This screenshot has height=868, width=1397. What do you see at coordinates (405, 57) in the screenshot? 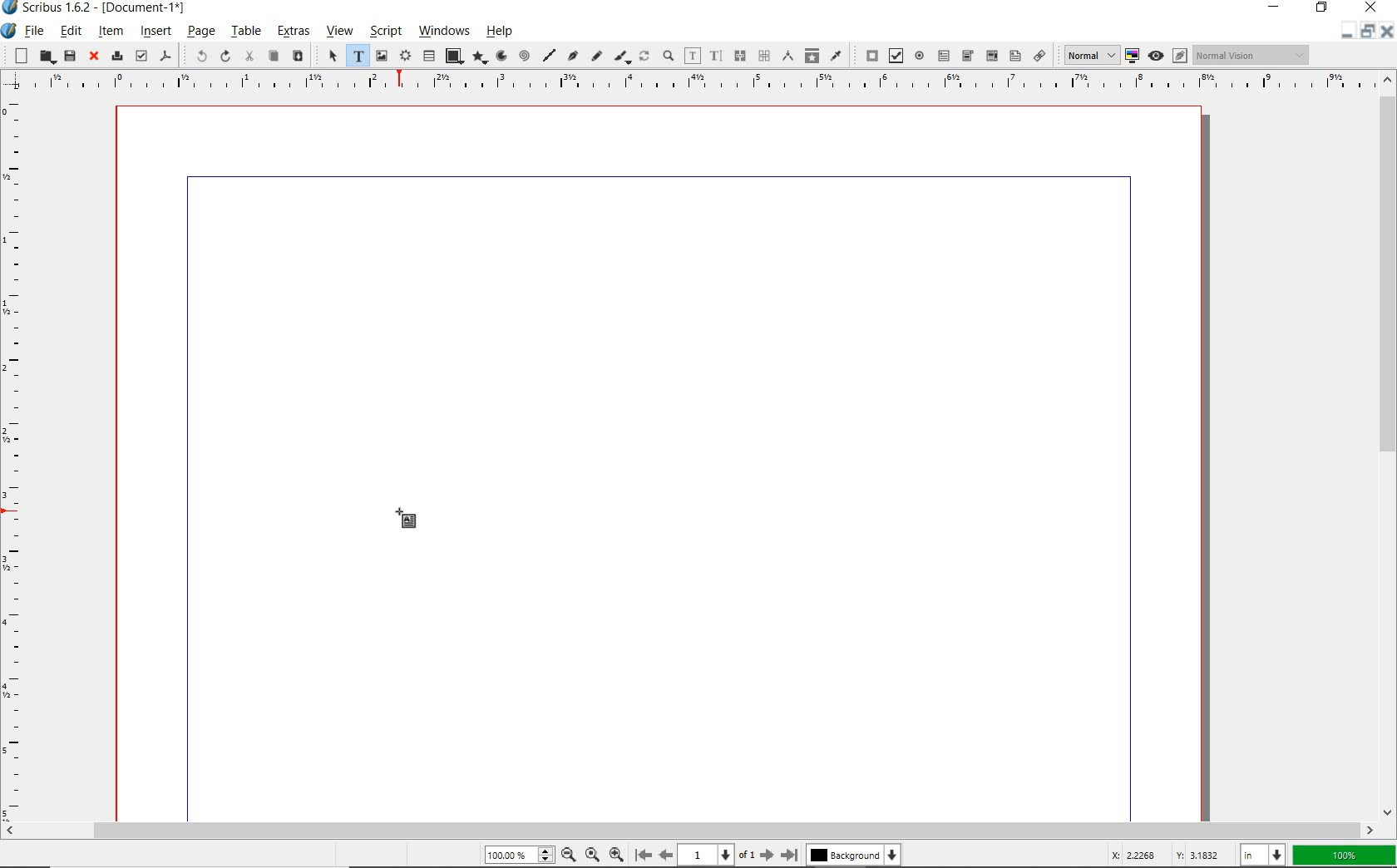
I see `render frame` at bounding box center [405, 57].